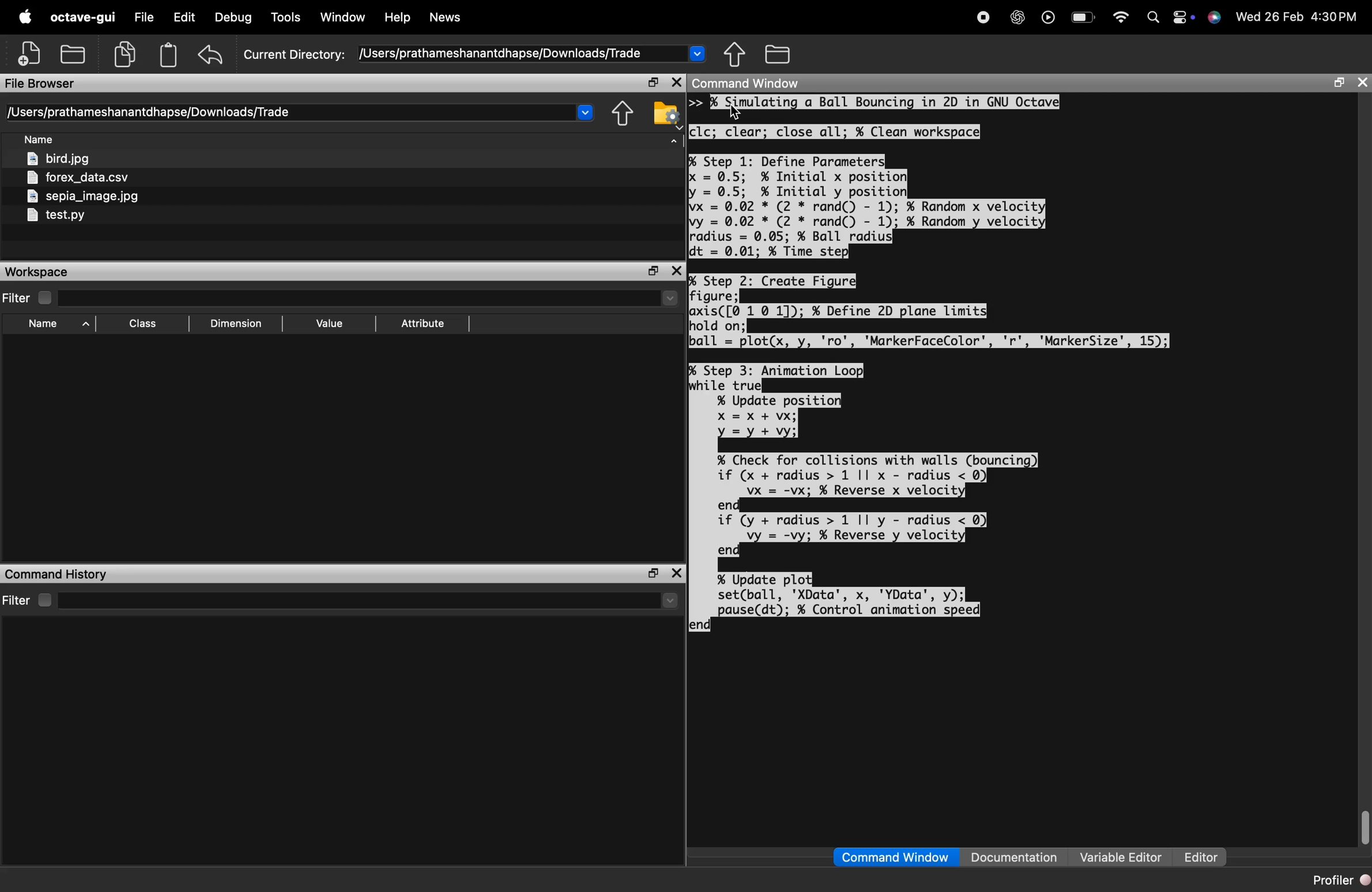 The width and height of the screenshot is (1372, 892). Describe the element at coordinates (653, 82) in the screenshot. I see `open in separate window` at that location.